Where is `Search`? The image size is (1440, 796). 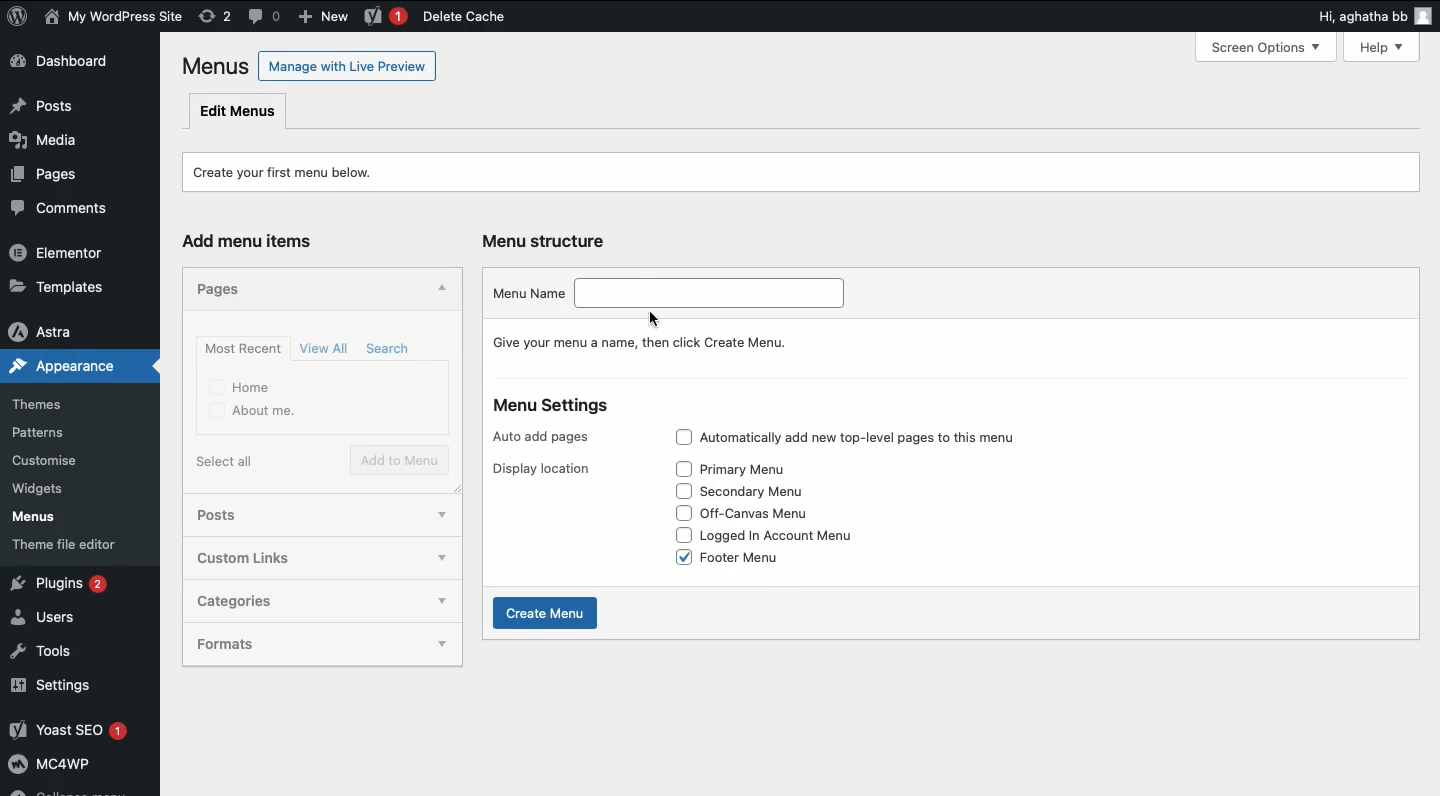
Search is located at coordinates (386, 349).